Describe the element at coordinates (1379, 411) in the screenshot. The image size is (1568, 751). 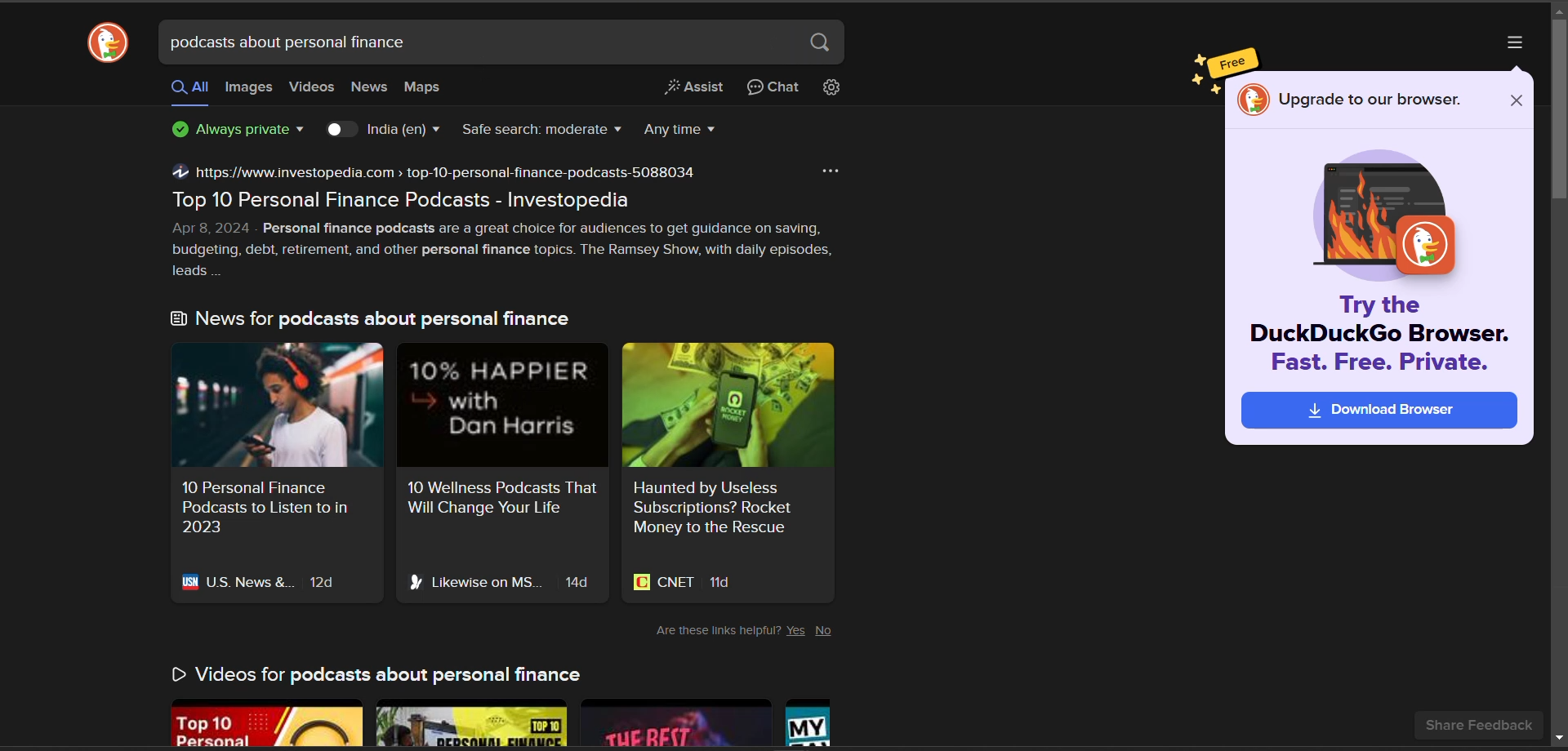
I see `Download Browser` at that location.